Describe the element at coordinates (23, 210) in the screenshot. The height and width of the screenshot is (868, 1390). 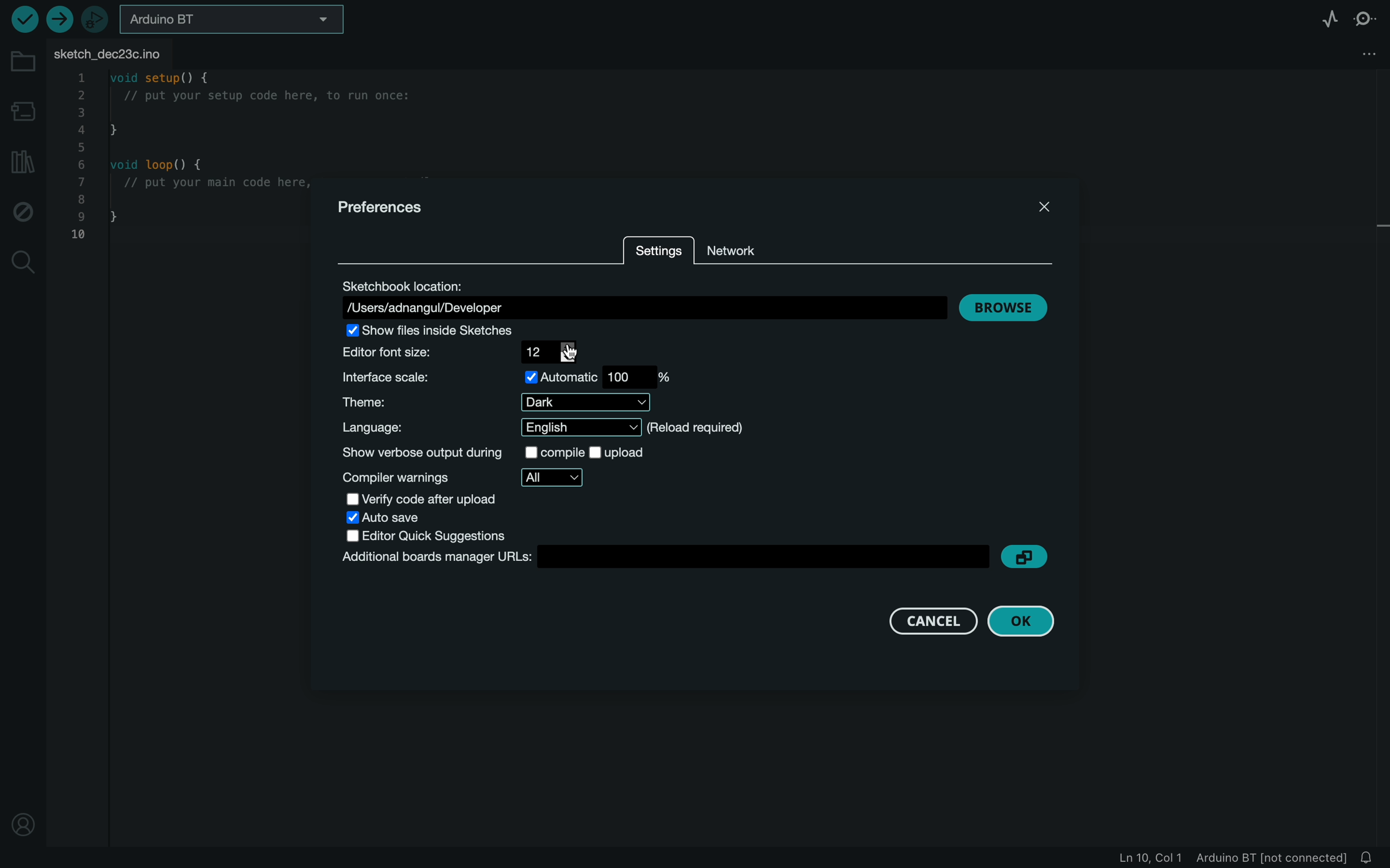
I see `debug` at that location.